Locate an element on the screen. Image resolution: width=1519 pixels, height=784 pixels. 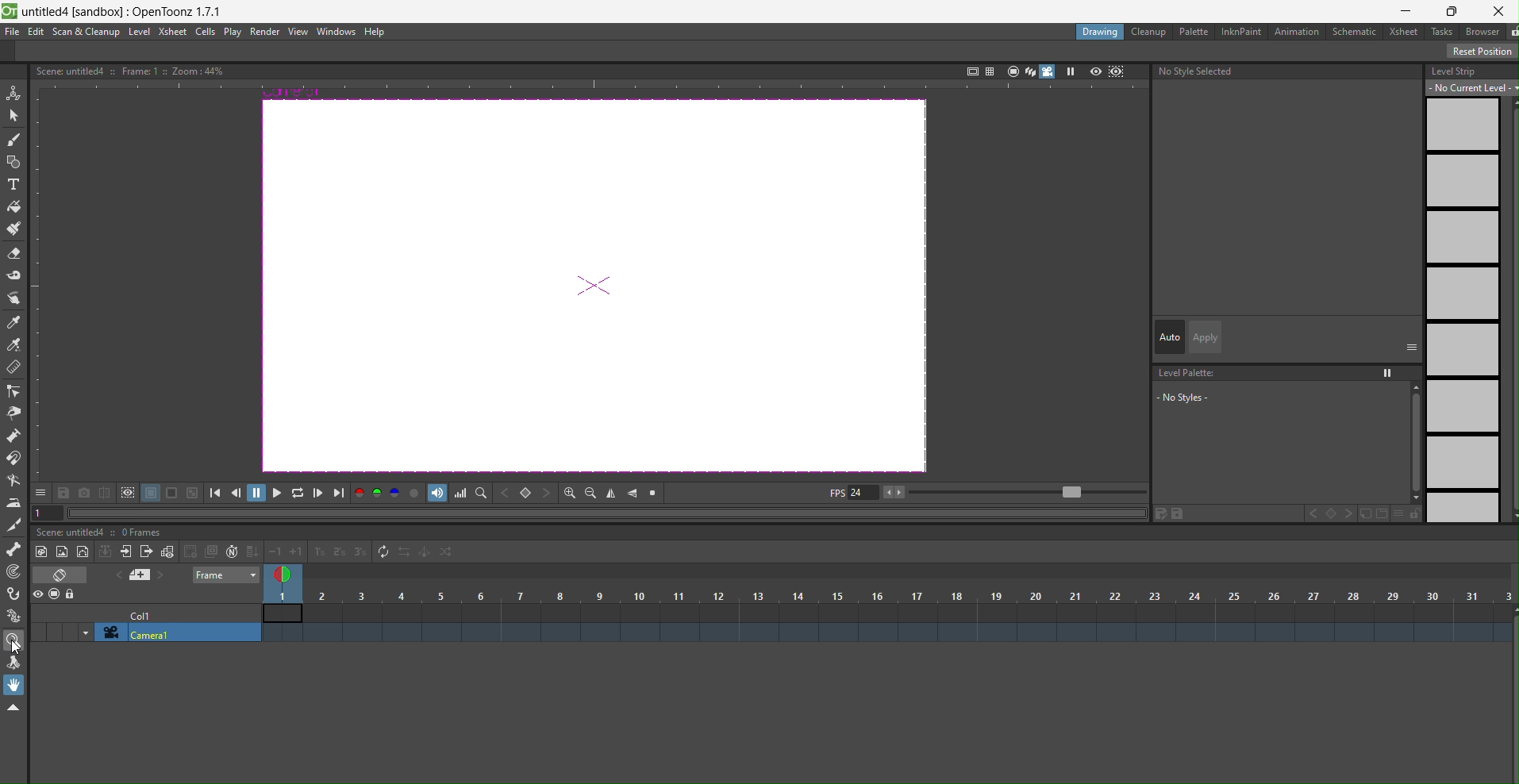
new frame is located at coordinates (168, 551).